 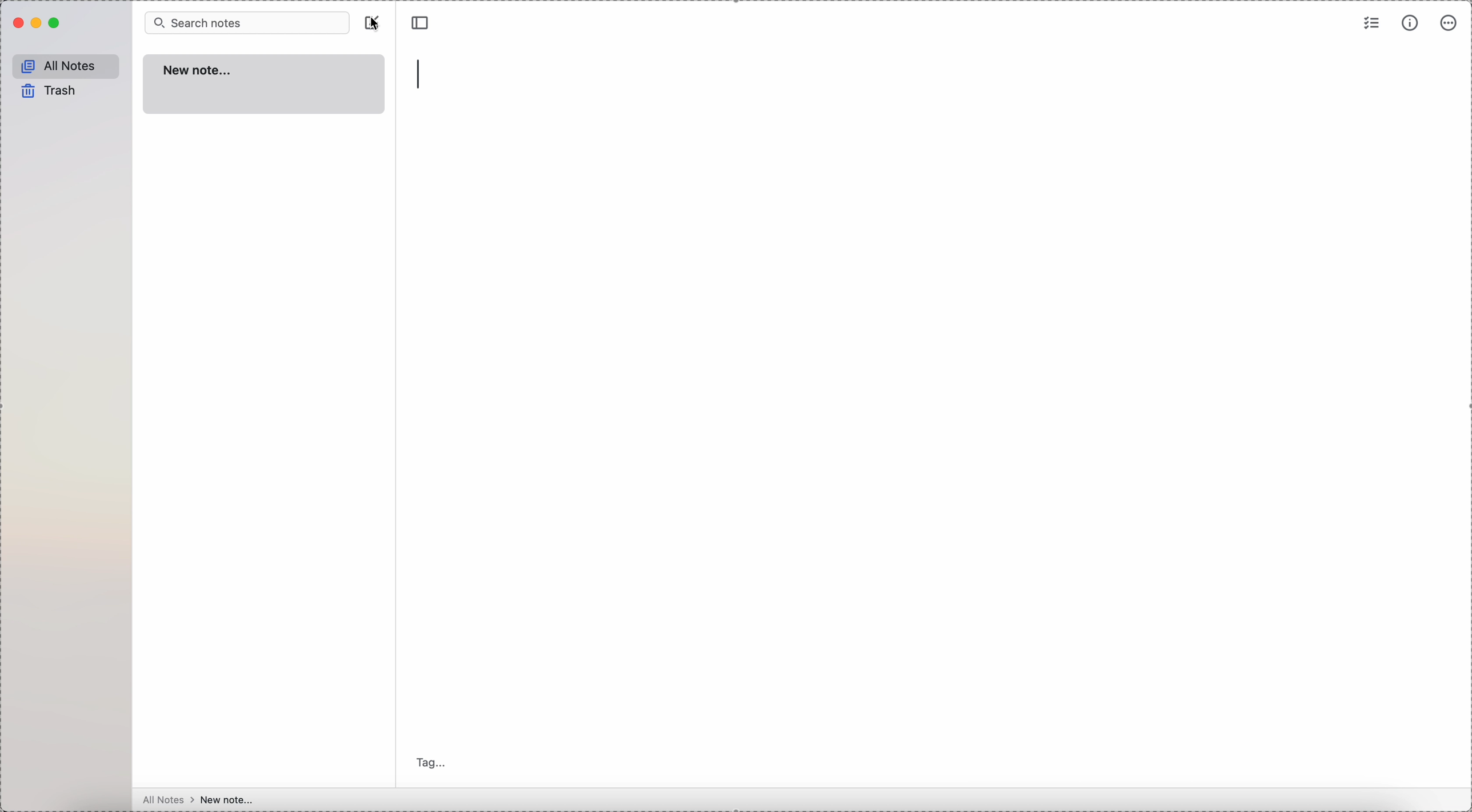 What do you see at coordinates (63, 65) in the screenshot?
I see `all notes` at bounding box center [63, 65].